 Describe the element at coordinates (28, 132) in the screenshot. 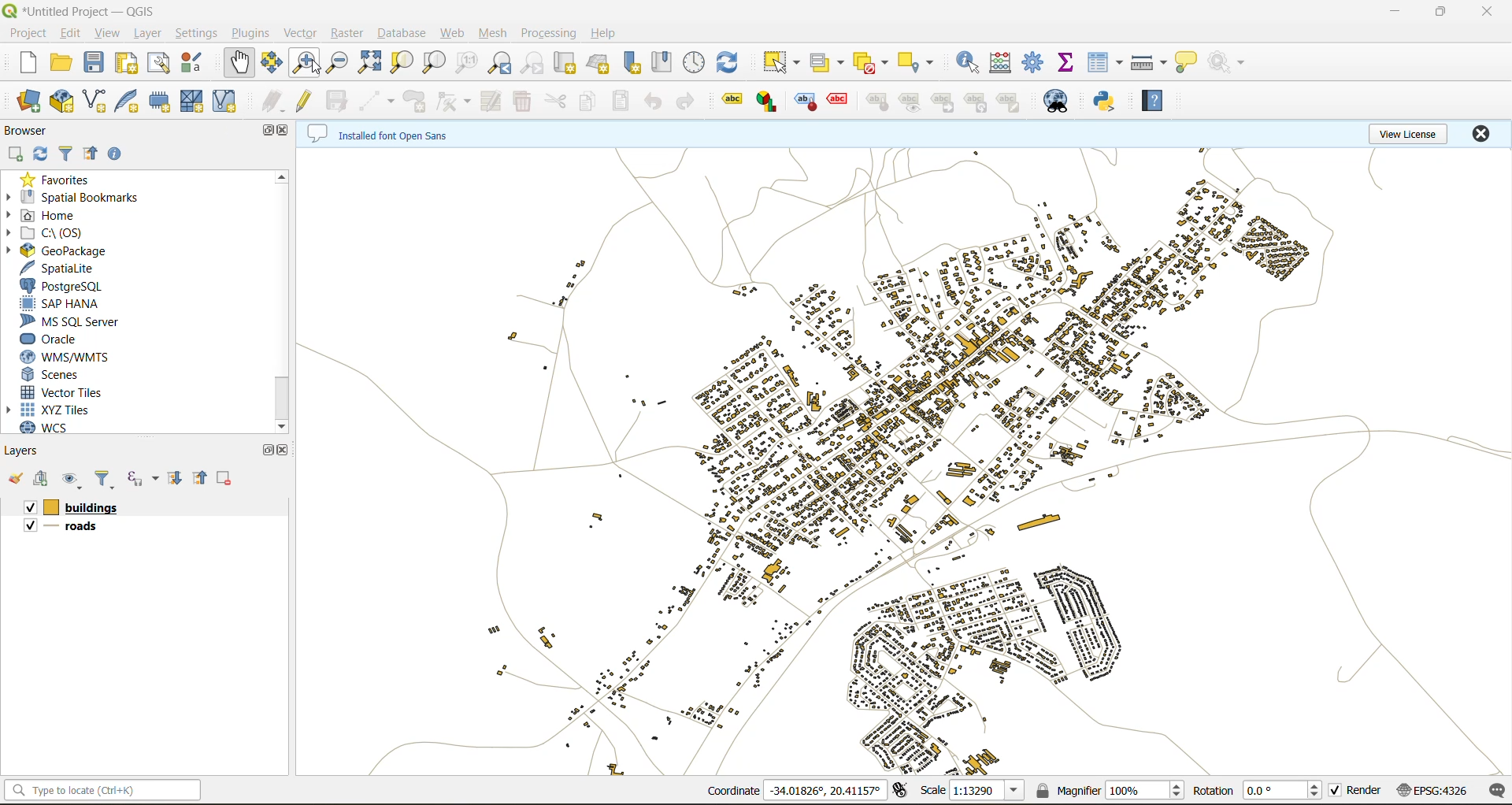

I see `browser` at that location.